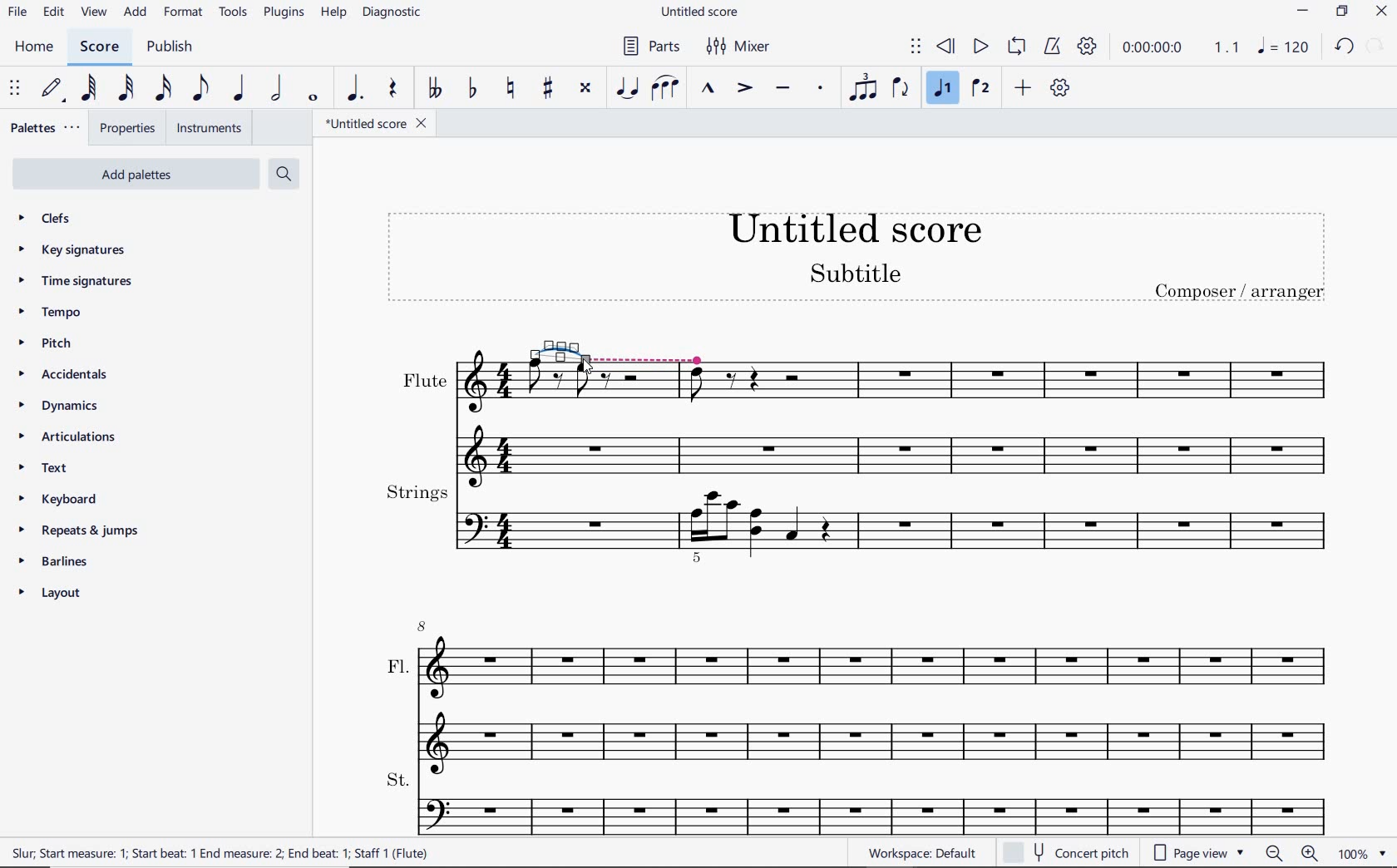 The image size is (1397, 868). Describe the element at coordinates (106, 46) in the screenshot. I see `SCORE` at that location.